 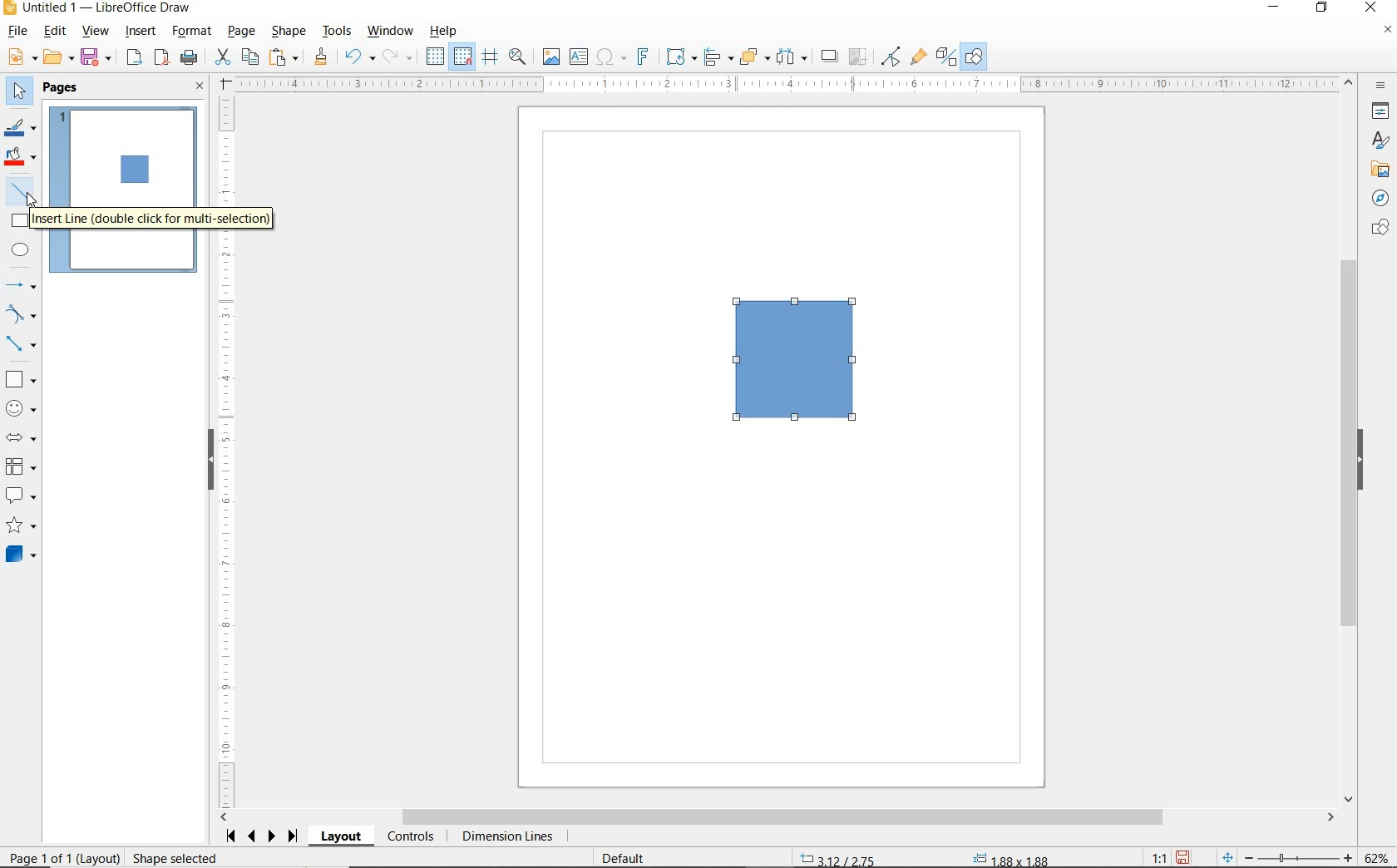 I want to click on PASTE, so click(x=284, y=57).